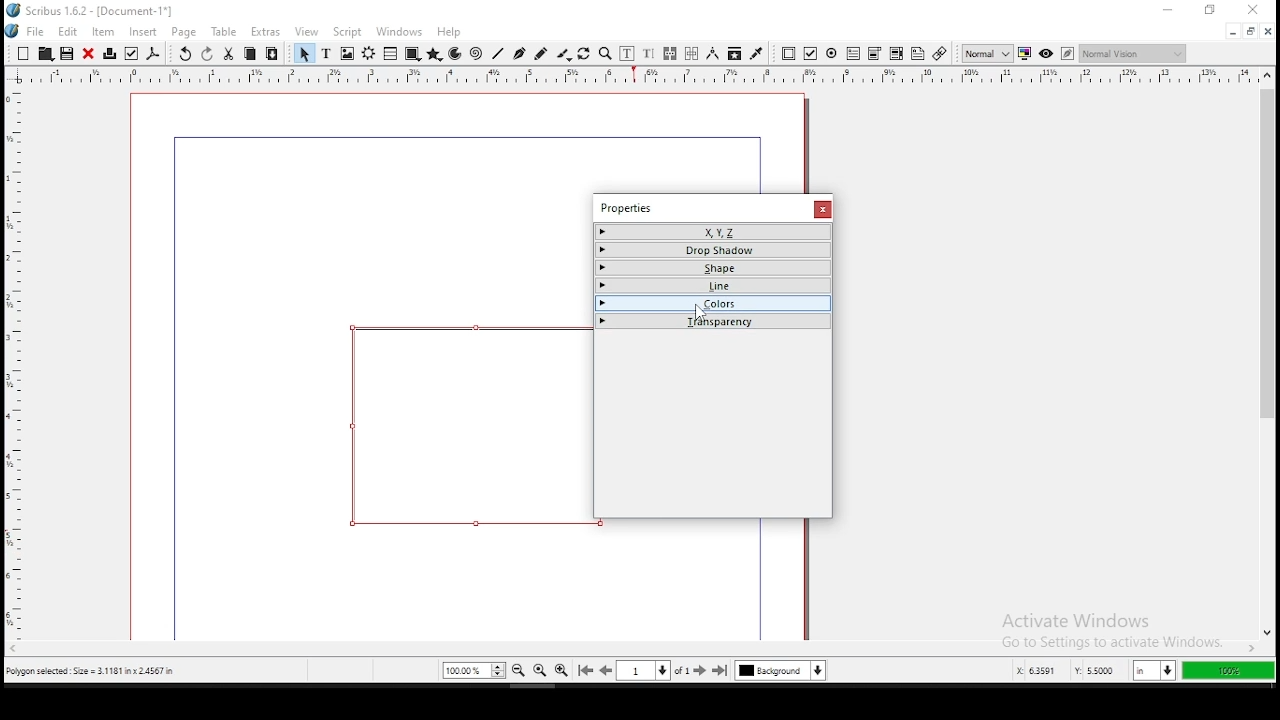 The width and height of the screenshot is (1280, 720). What do you see at coordinates (271, 54) in the screenshot?
I see `paste` at bounding box center [271, 54].